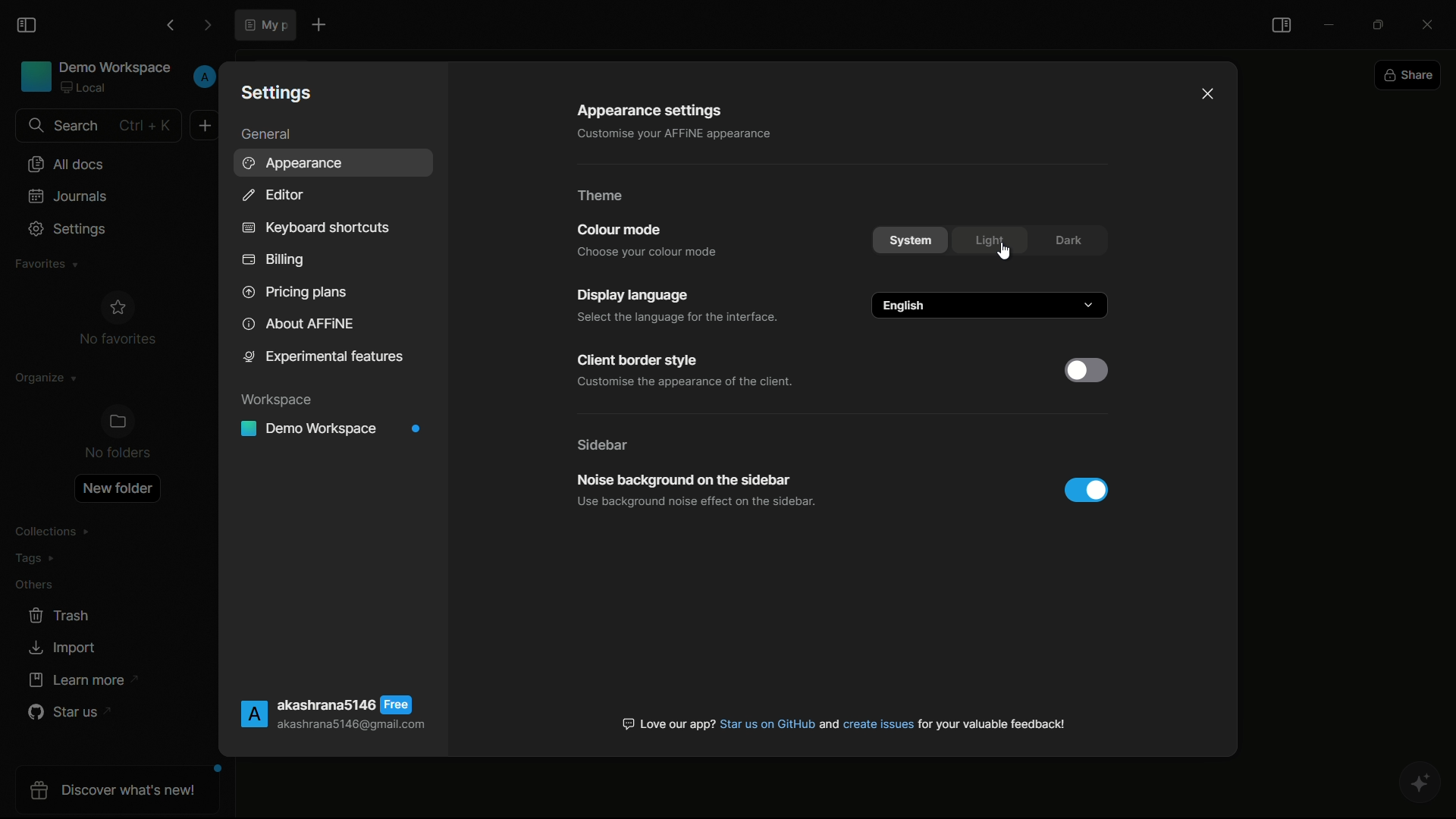  Describe the element at coordinates (604, 444) in the screenshot. I see `Sidebar` at that location.